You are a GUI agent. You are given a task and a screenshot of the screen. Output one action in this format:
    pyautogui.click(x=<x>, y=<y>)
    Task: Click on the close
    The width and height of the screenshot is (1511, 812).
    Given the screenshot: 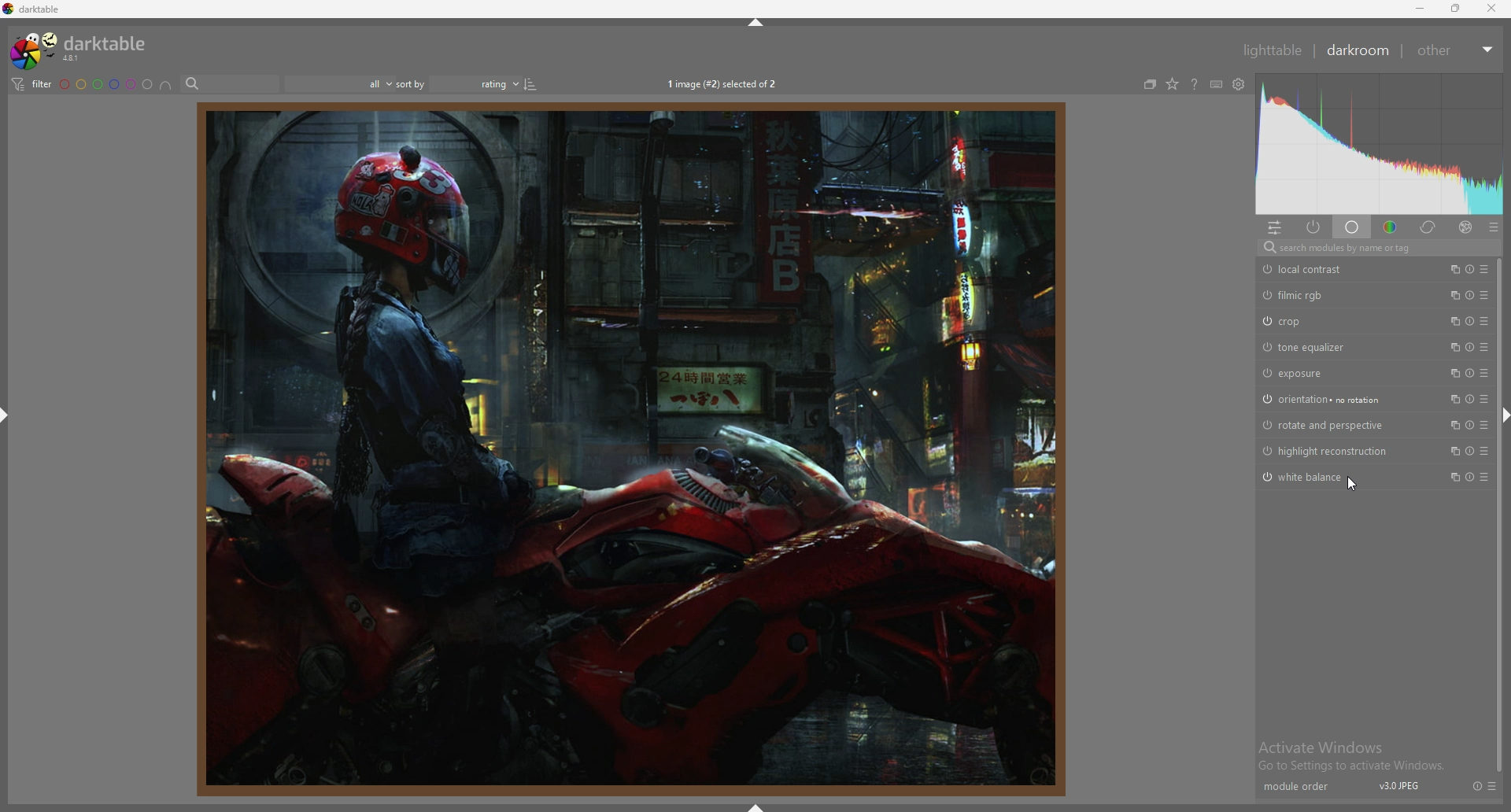 What is the action you would take?
    pyautogui.click(x=1491, y=9)
    